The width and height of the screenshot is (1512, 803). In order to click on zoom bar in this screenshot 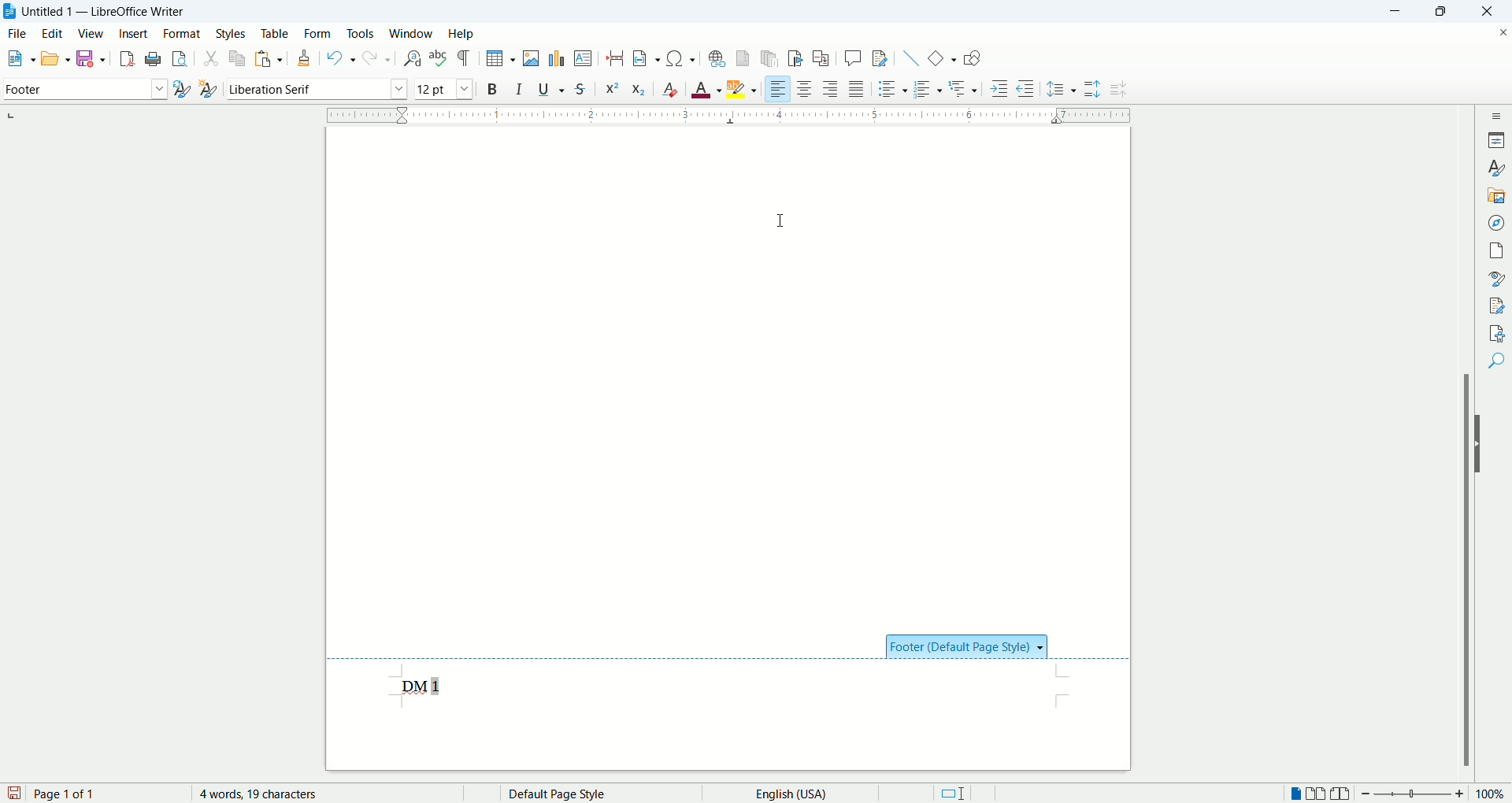, I will do `click(1412, 794)`.